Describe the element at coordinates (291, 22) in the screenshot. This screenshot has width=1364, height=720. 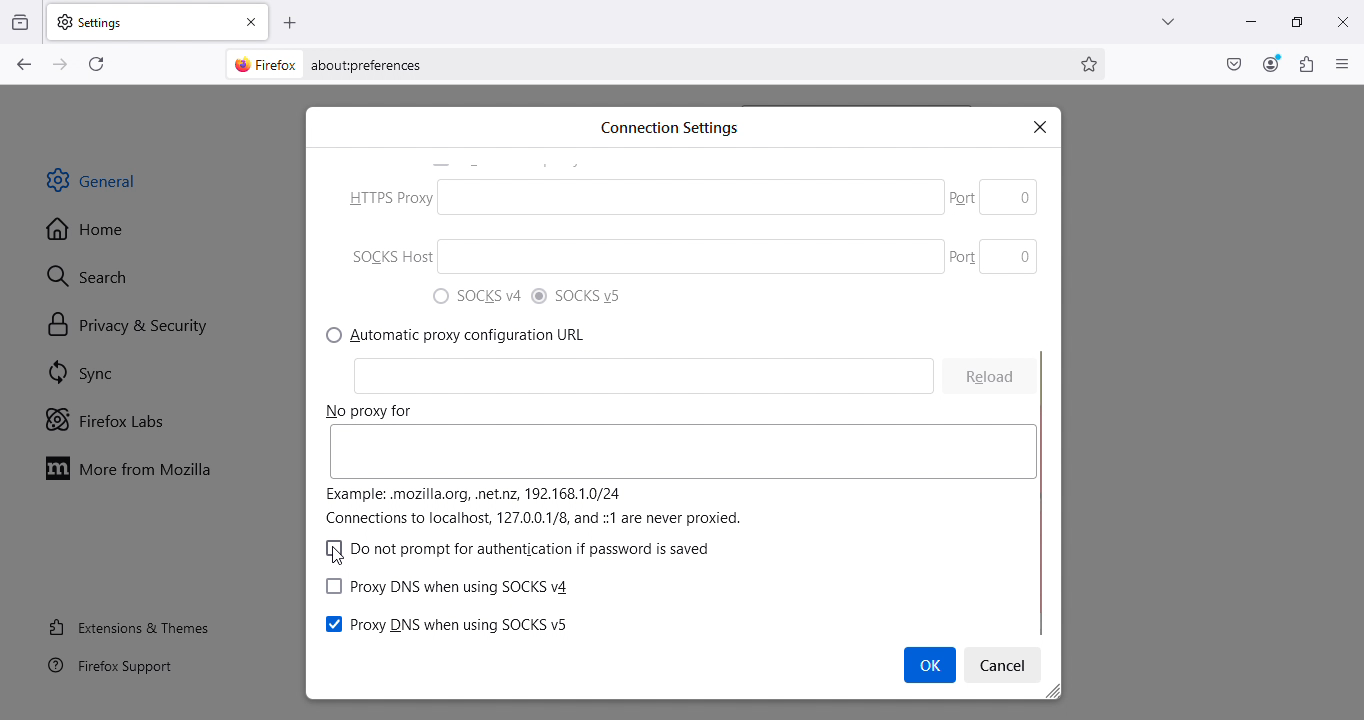
I see `Open a new tab` at that location.